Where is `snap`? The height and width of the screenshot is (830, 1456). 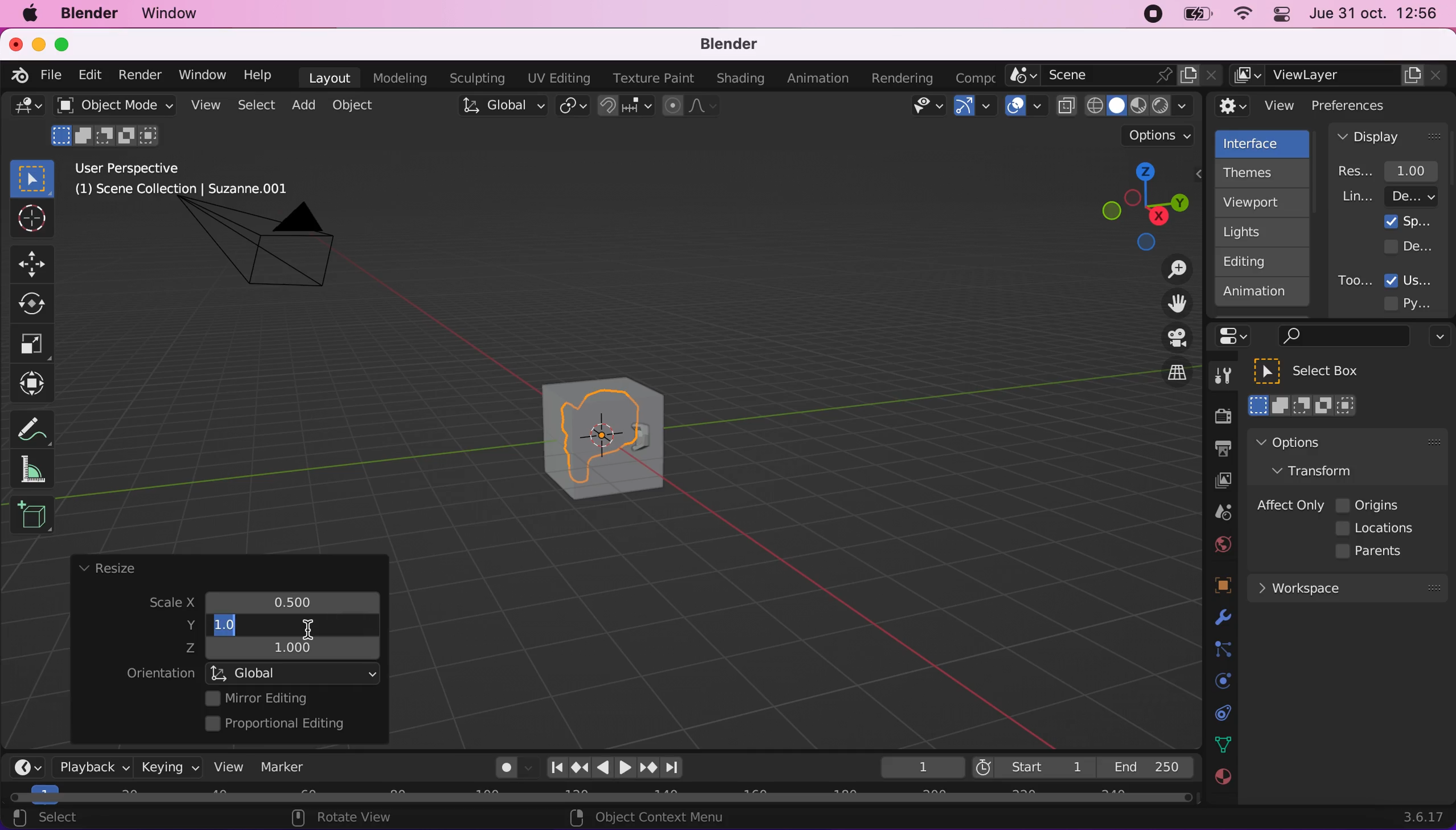 snap is located at coordinates (627, 106).